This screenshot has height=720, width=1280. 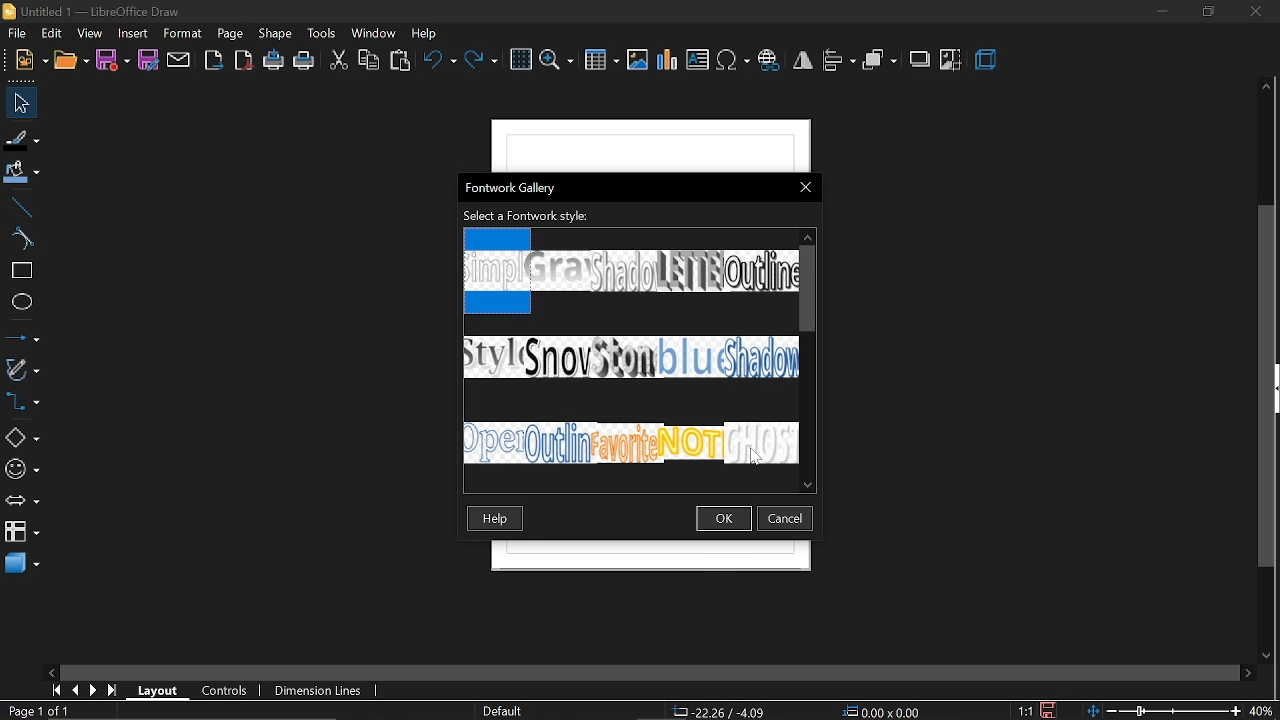 I want to click on insert text, so click(x=699, y=60).